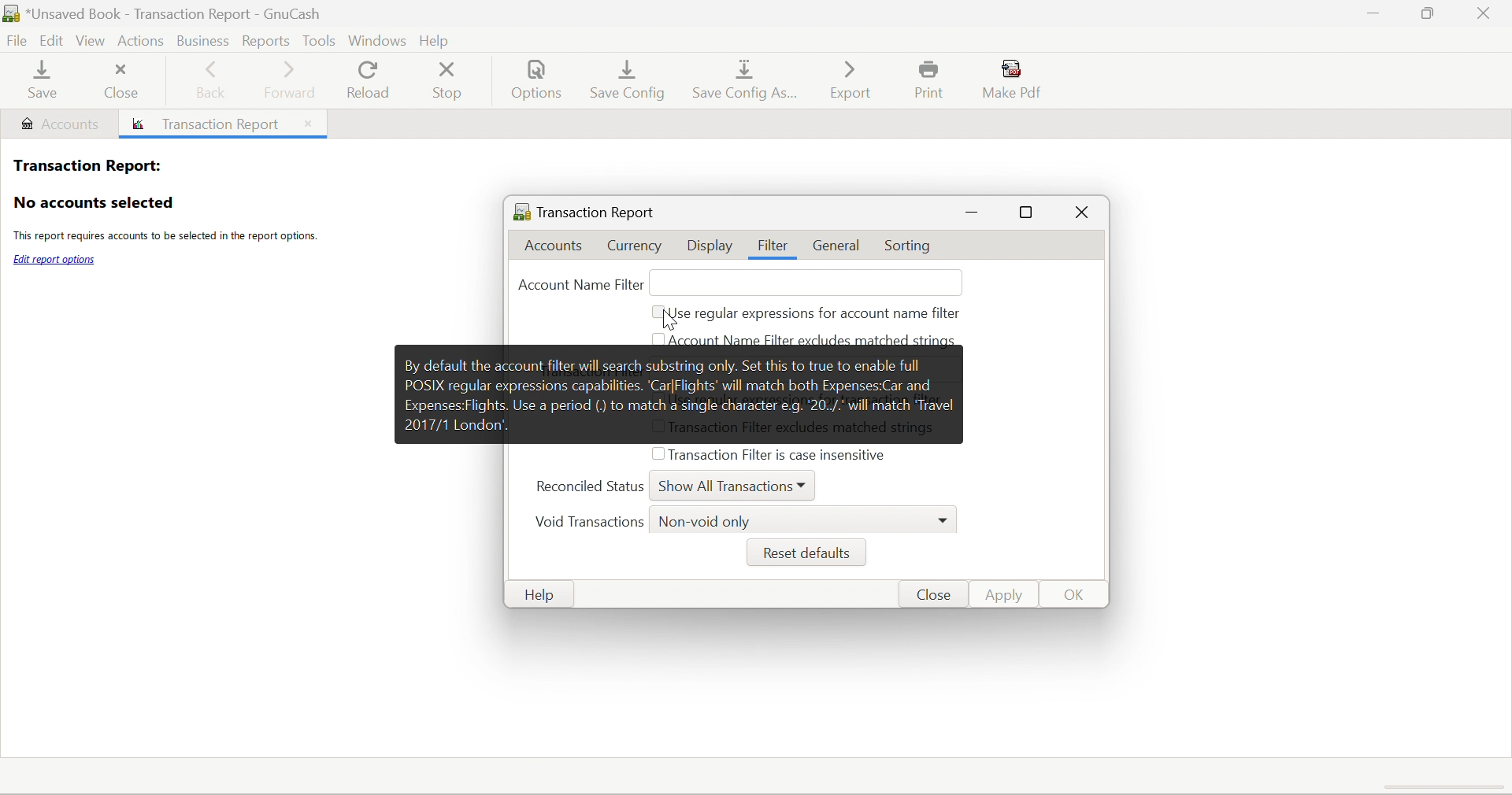 This screenshot has height=795, width=1512. Describe the element at coordinates (578, 285) in the screenshot. I see `Account Name Filter` at that location.